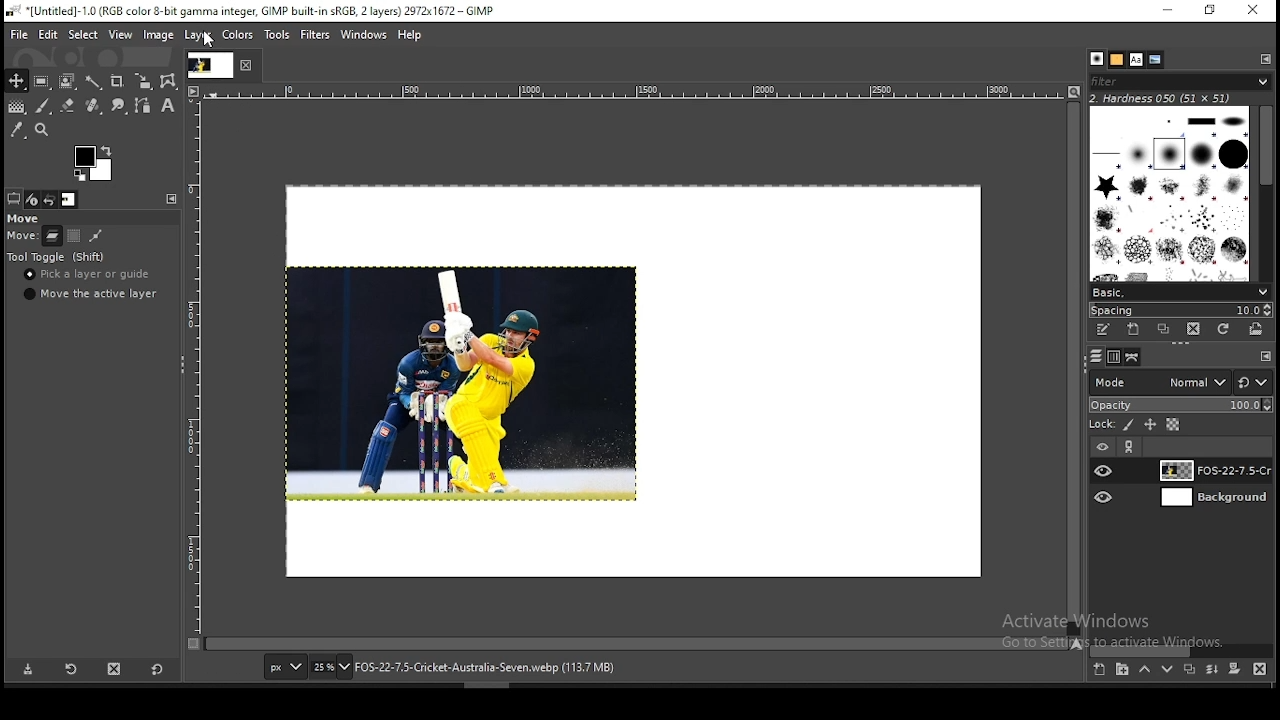 This screenshot has height=720, width=1280. Describe the element at coordinates (40, 81) in the screenshot. I see `rectangular selection tool` at that location.